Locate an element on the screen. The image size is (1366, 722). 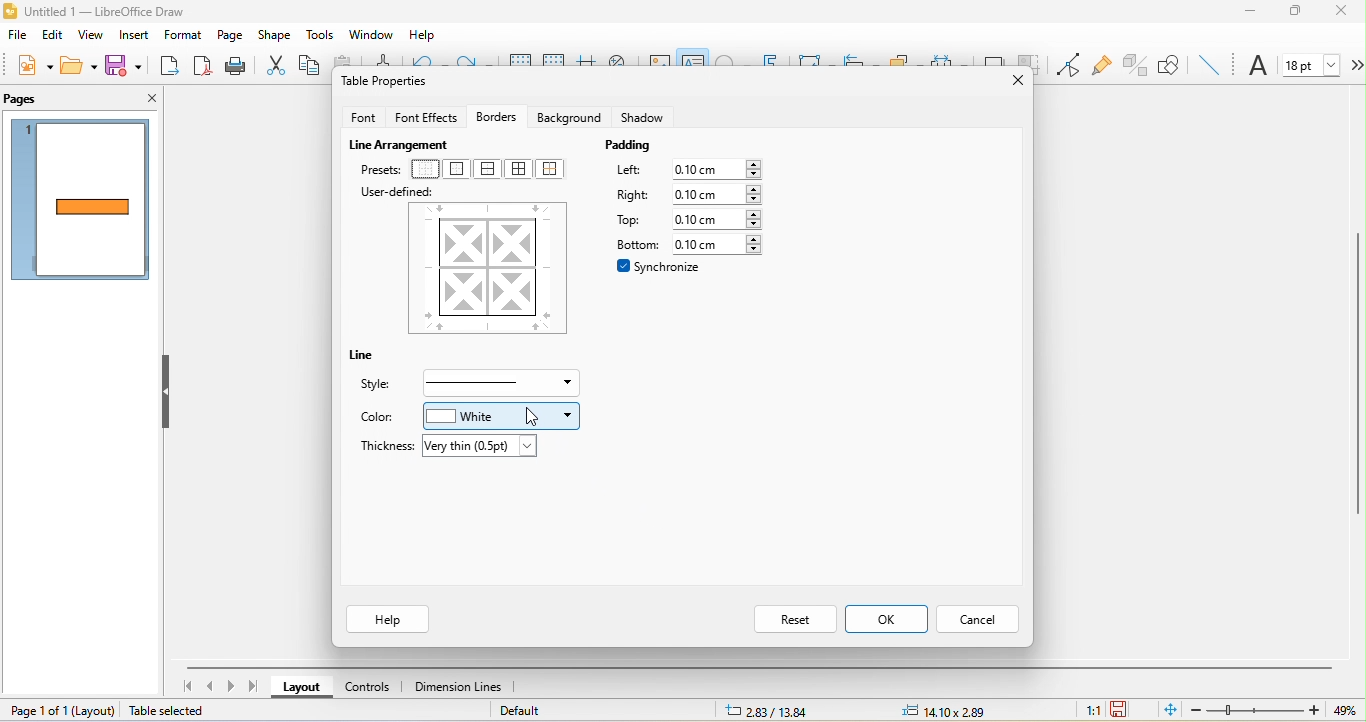
49% is located at coordinates (1343, 711).